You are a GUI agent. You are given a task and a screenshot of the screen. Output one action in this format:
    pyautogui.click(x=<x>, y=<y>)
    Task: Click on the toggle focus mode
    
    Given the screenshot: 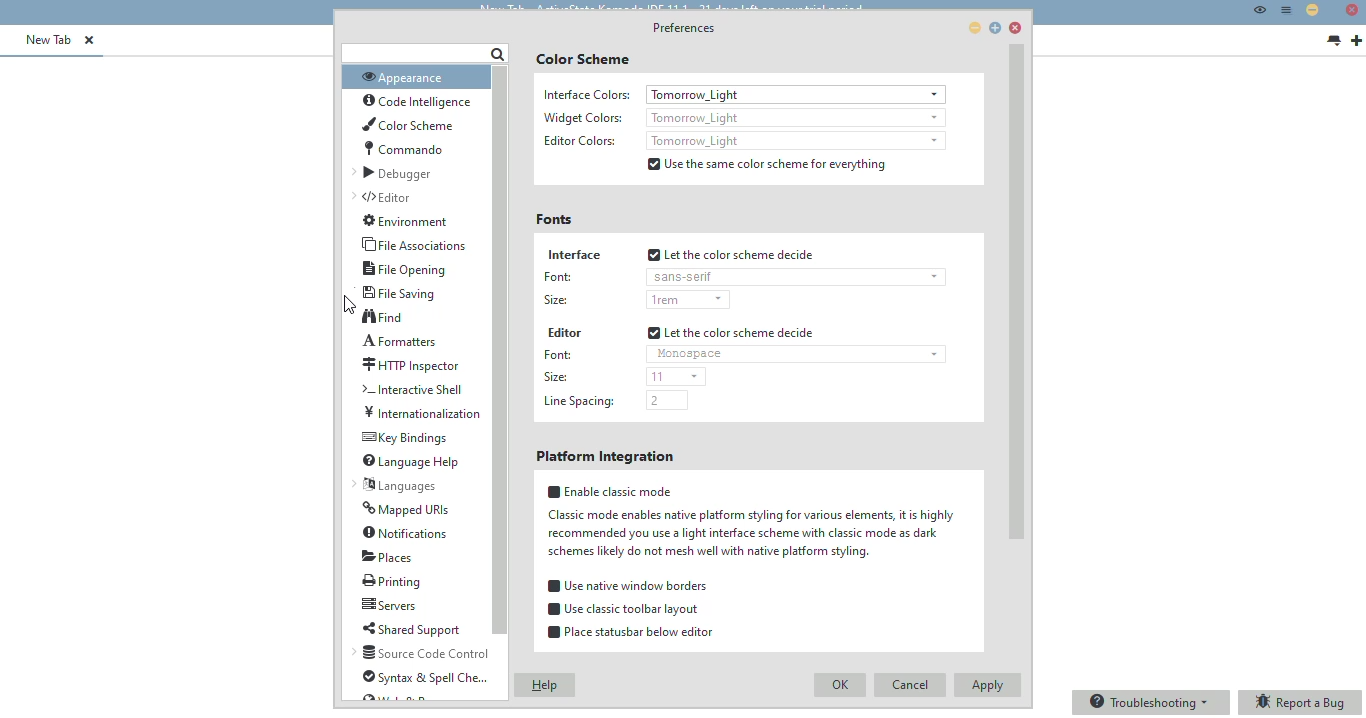 What is the action you would take?
    pyautogui.click(x=1260, y=9)
    